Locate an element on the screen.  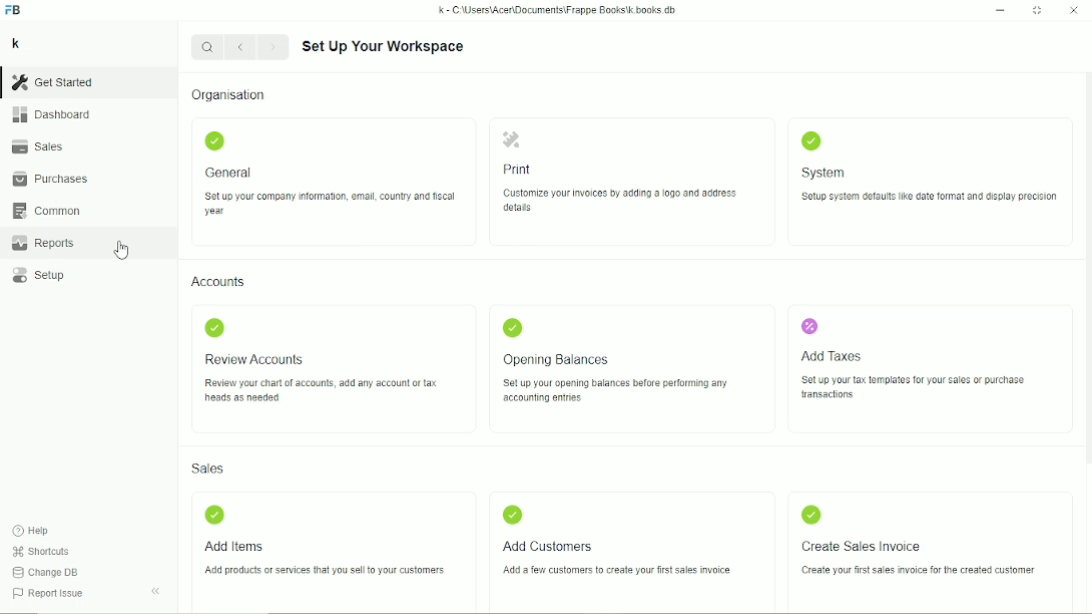
Create sales invoice create your first sales invoice for the created customer. is located at coordinates (912, 539).